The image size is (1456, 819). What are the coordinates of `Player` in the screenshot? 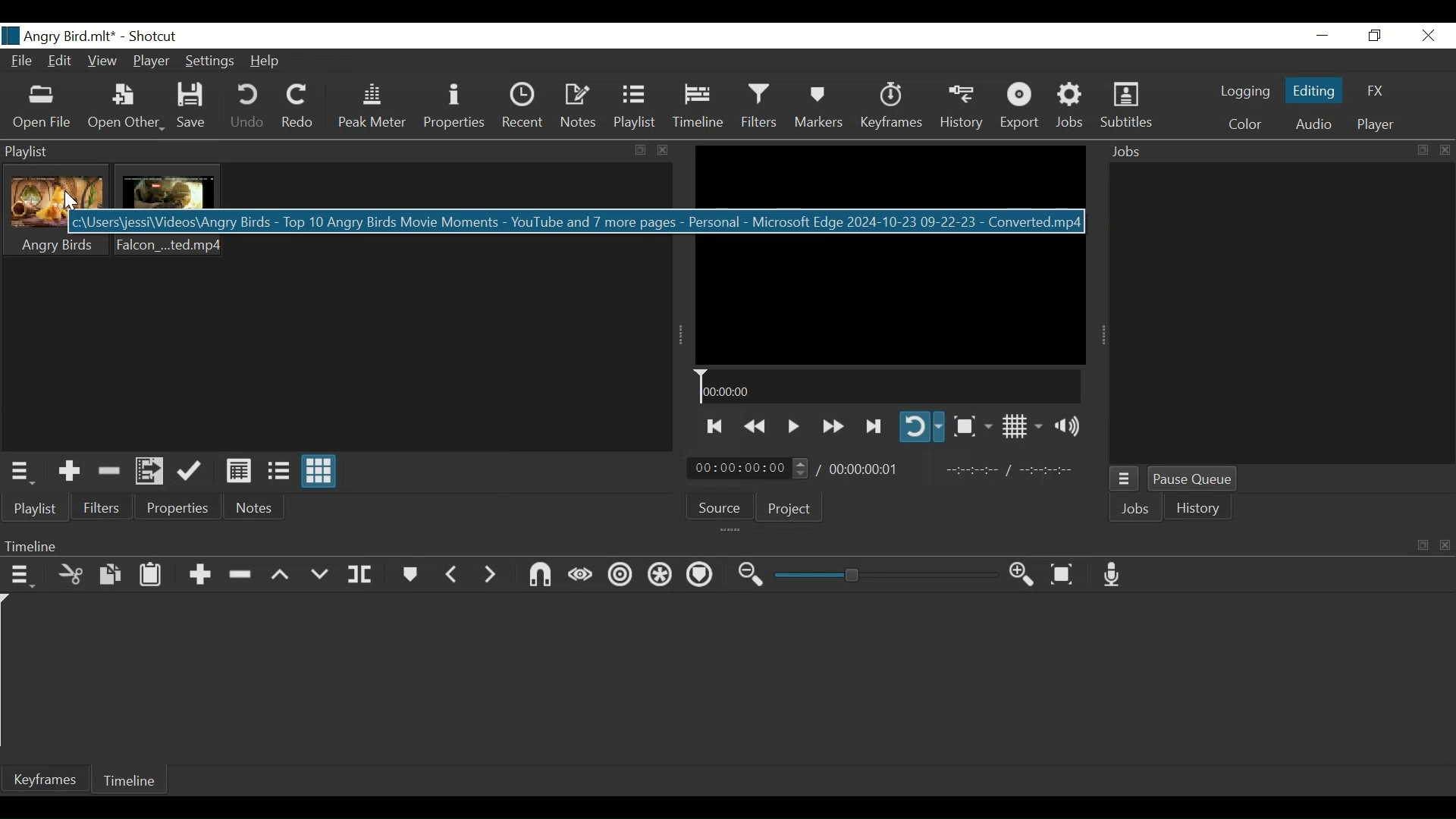 It's located at (1376, 122).